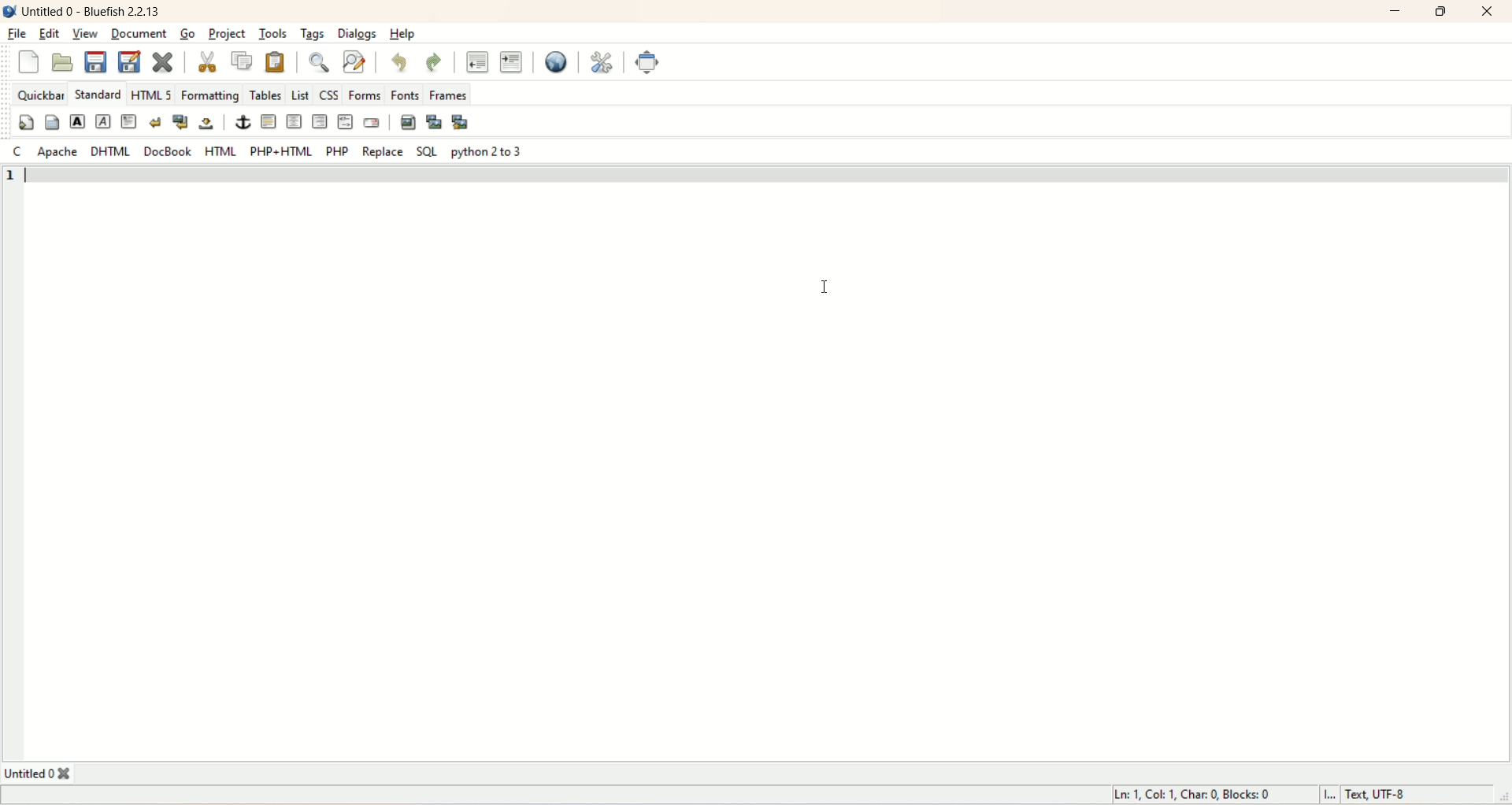  Describe the element at coordinates (9, 11) in the screenshot. I see `logo` at that location.